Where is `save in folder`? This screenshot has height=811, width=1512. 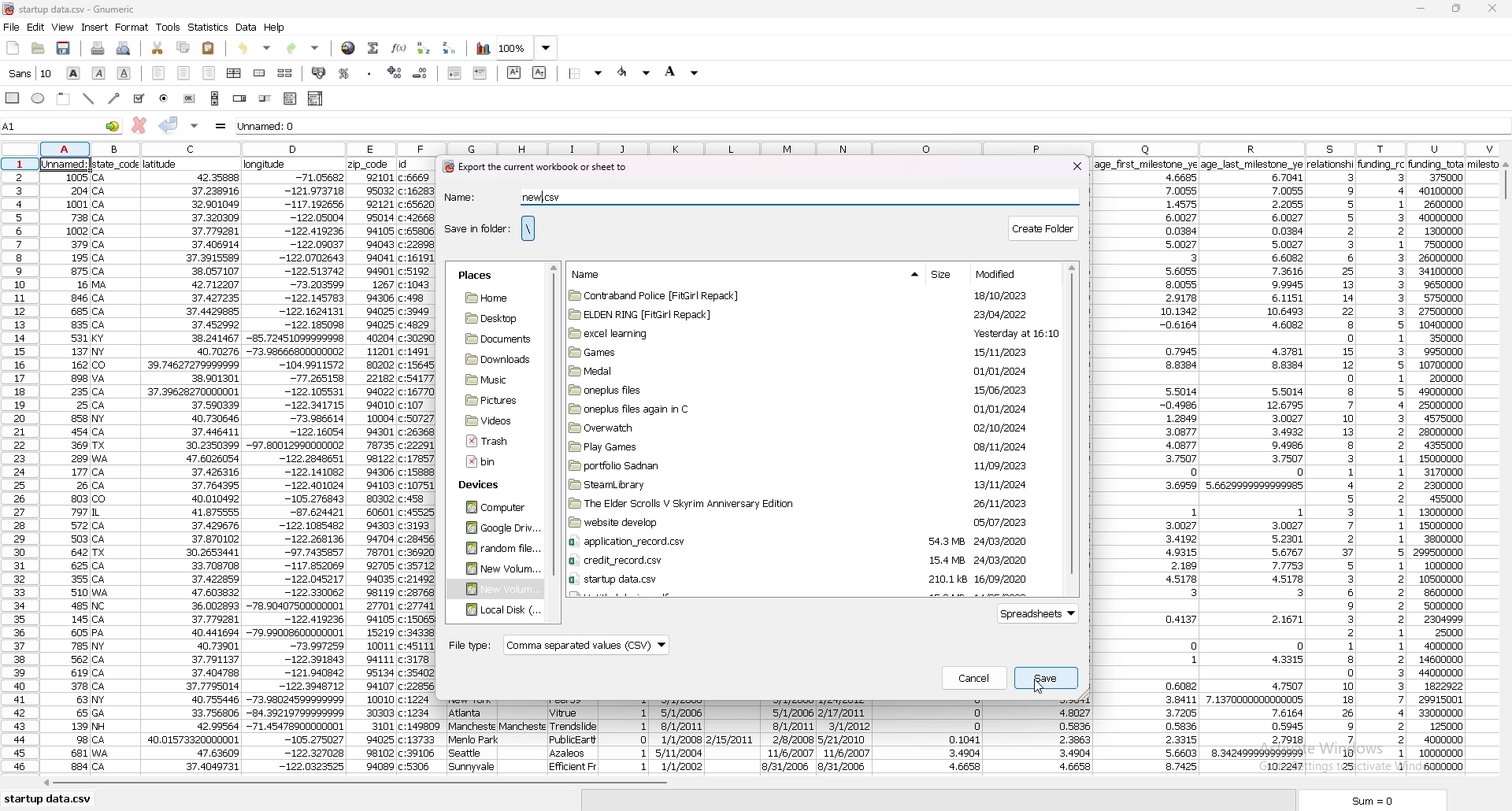
save in folder is located at coordinates (476, 228).